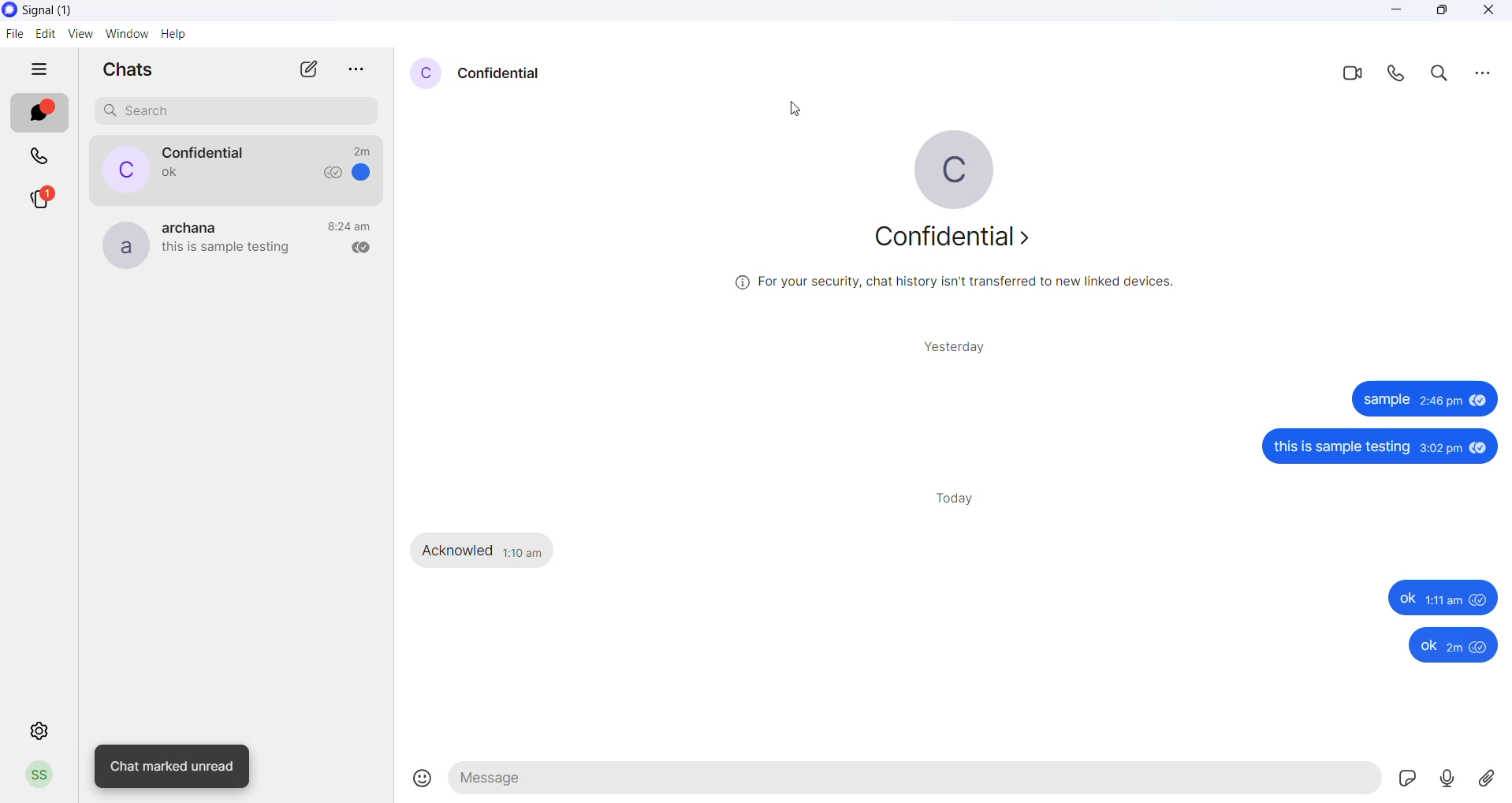  I want to click on chats heading, so click(130, 70).